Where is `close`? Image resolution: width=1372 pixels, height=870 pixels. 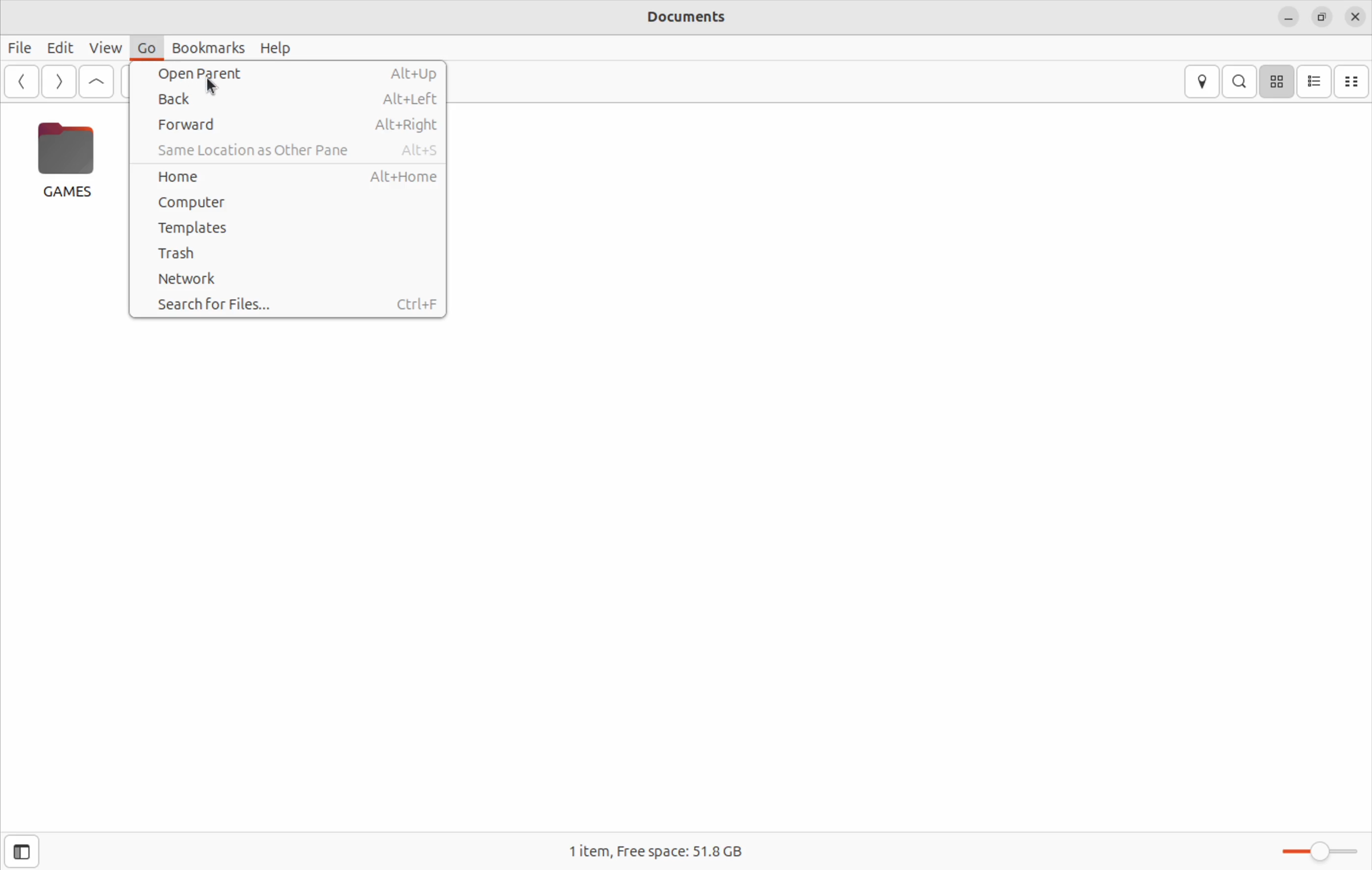 close is located at coordinates (1288, 15).